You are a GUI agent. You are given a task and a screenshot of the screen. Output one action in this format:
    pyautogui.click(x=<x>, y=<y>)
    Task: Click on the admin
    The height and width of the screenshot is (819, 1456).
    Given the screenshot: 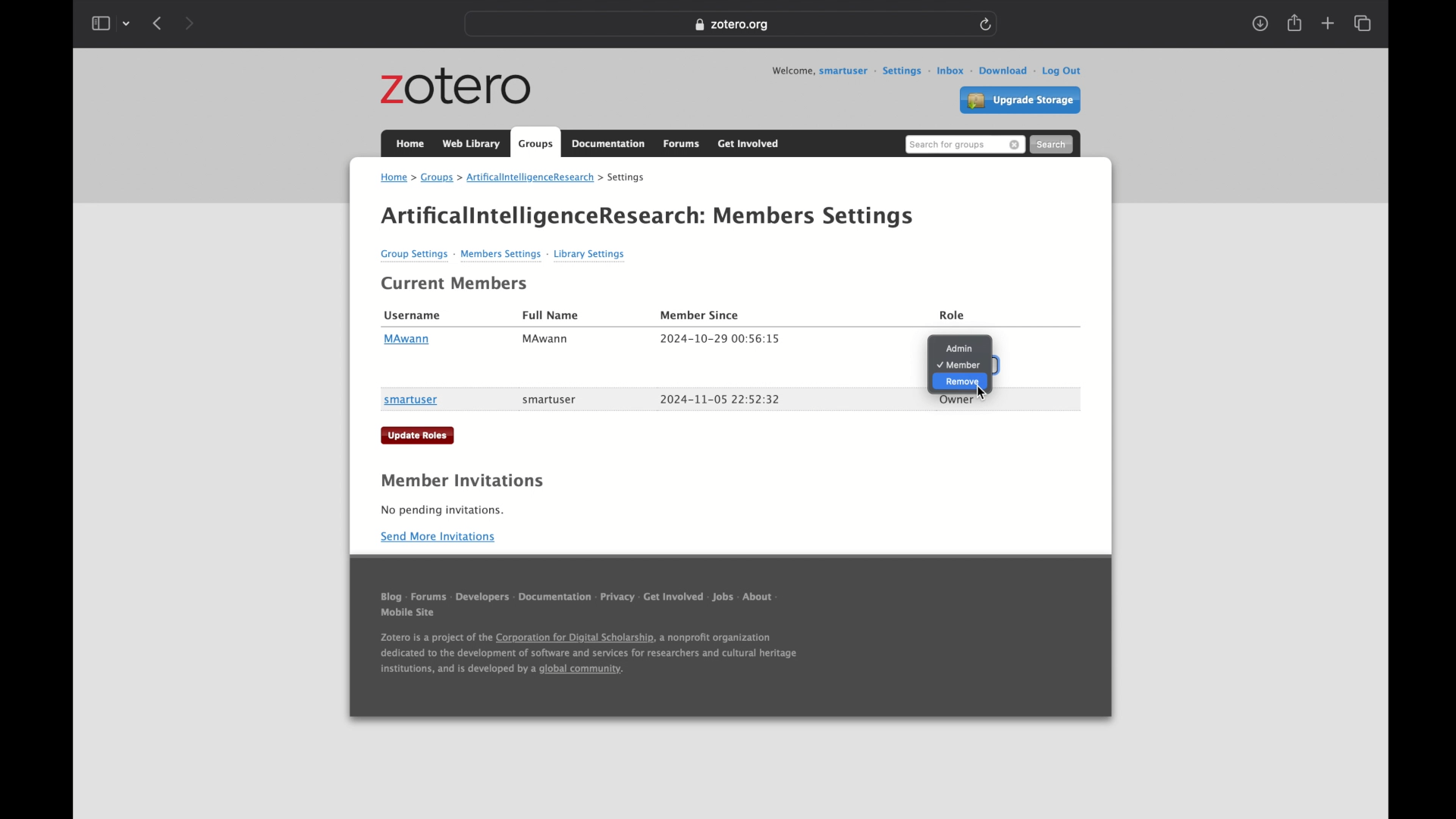 What is the action you would take?
    pyautogui.click(x=959, y=348)
    